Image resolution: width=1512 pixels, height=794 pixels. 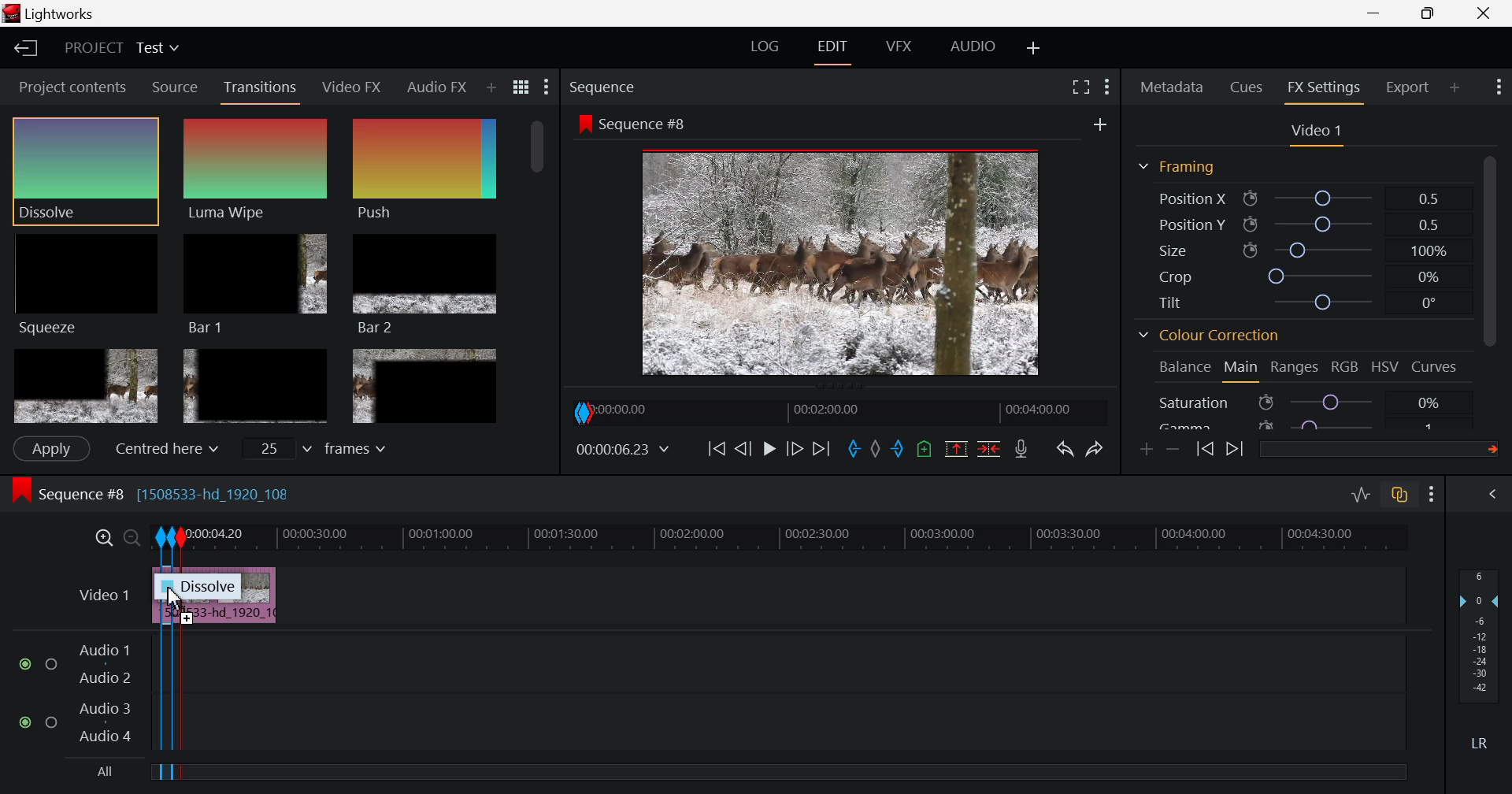 What do you see at coordinates (836, 46) in the screenshot?
I see `EDIT Tab Open` at bounding box center [836, 46].